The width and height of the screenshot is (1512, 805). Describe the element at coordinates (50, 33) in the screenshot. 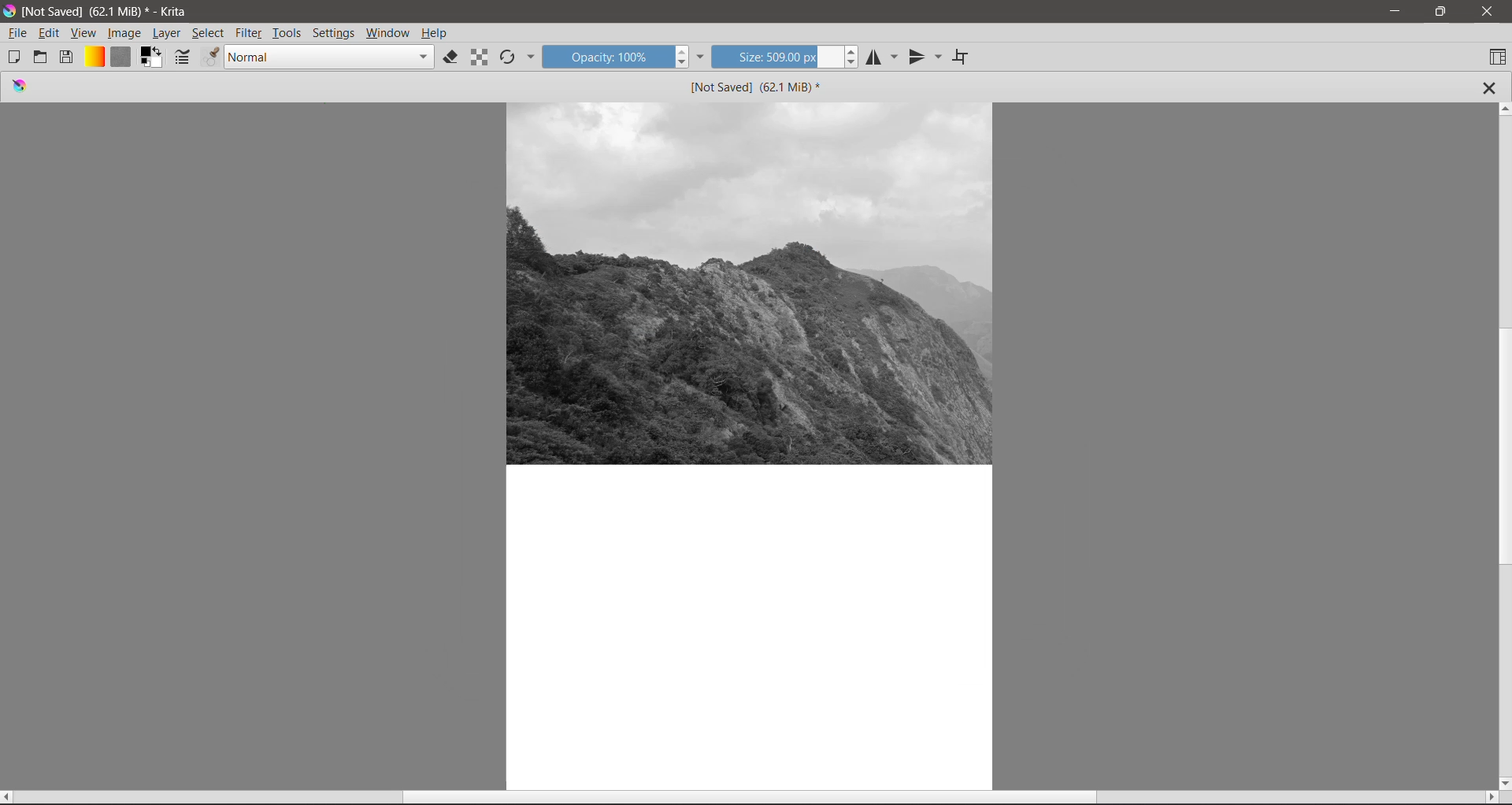

I see `Edit` at that location.